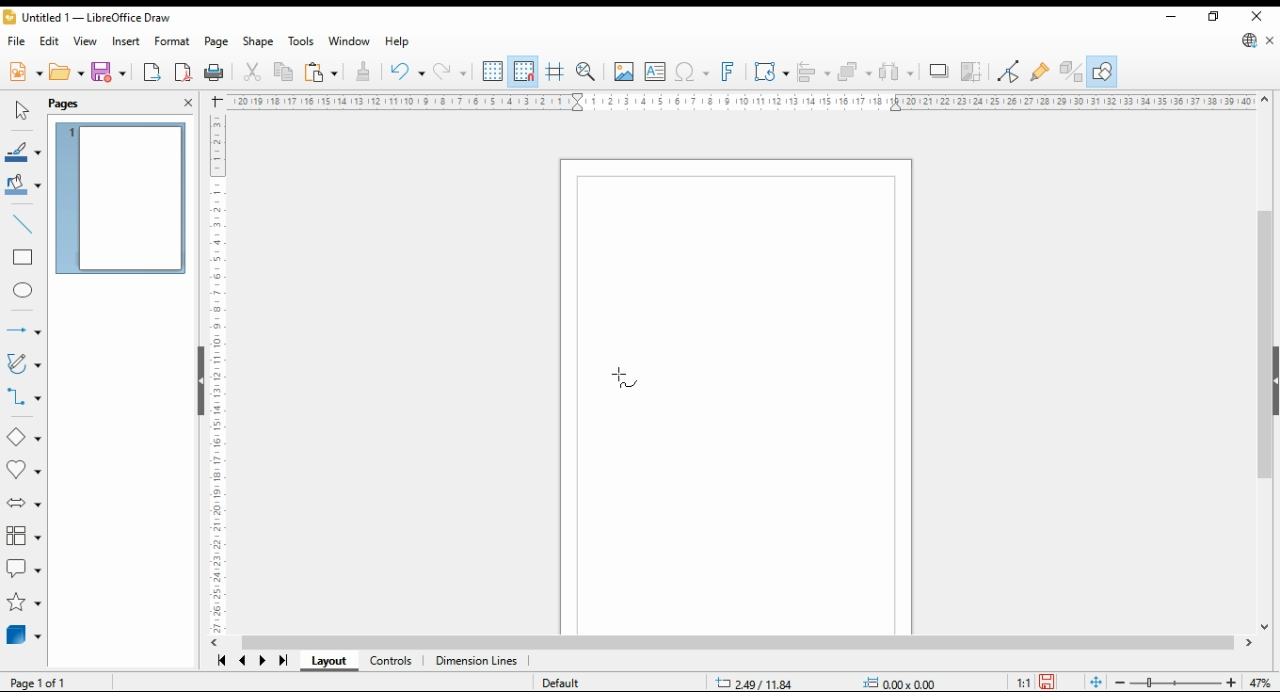 The image size is (1280, 692). What do you see at coordinates (190, 101) in the screenshot?
I see `close pane` at bounding box center [190, 101].